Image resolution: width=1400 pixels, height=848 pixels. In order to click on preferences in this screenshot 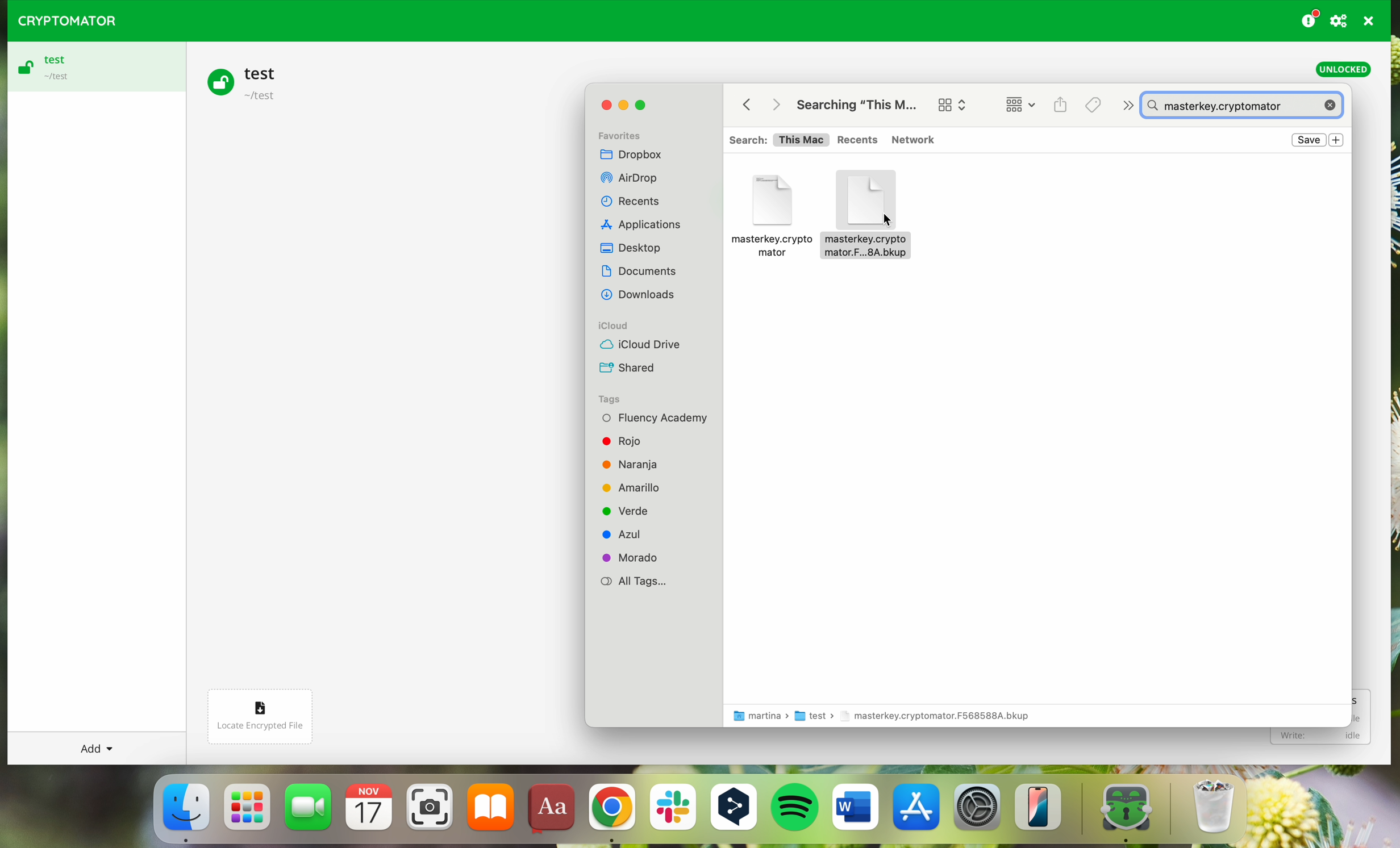, I will do `click(1340, 20)`.